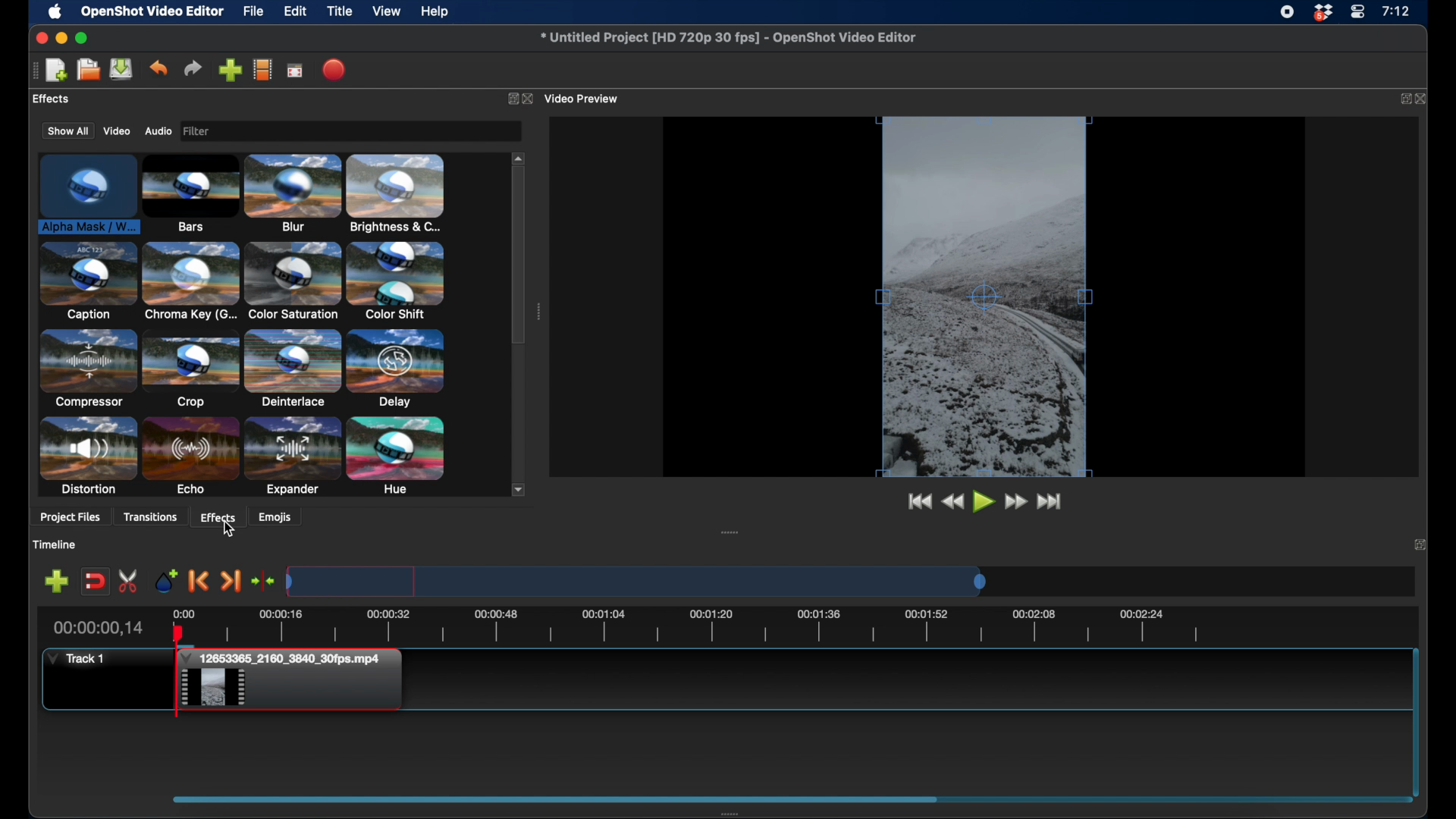 Image resolution: width=1456 pixels, height=819 pixels. Describe the element at coordinates (263, 69) in the screenshot. I see `choose profile` at that location.